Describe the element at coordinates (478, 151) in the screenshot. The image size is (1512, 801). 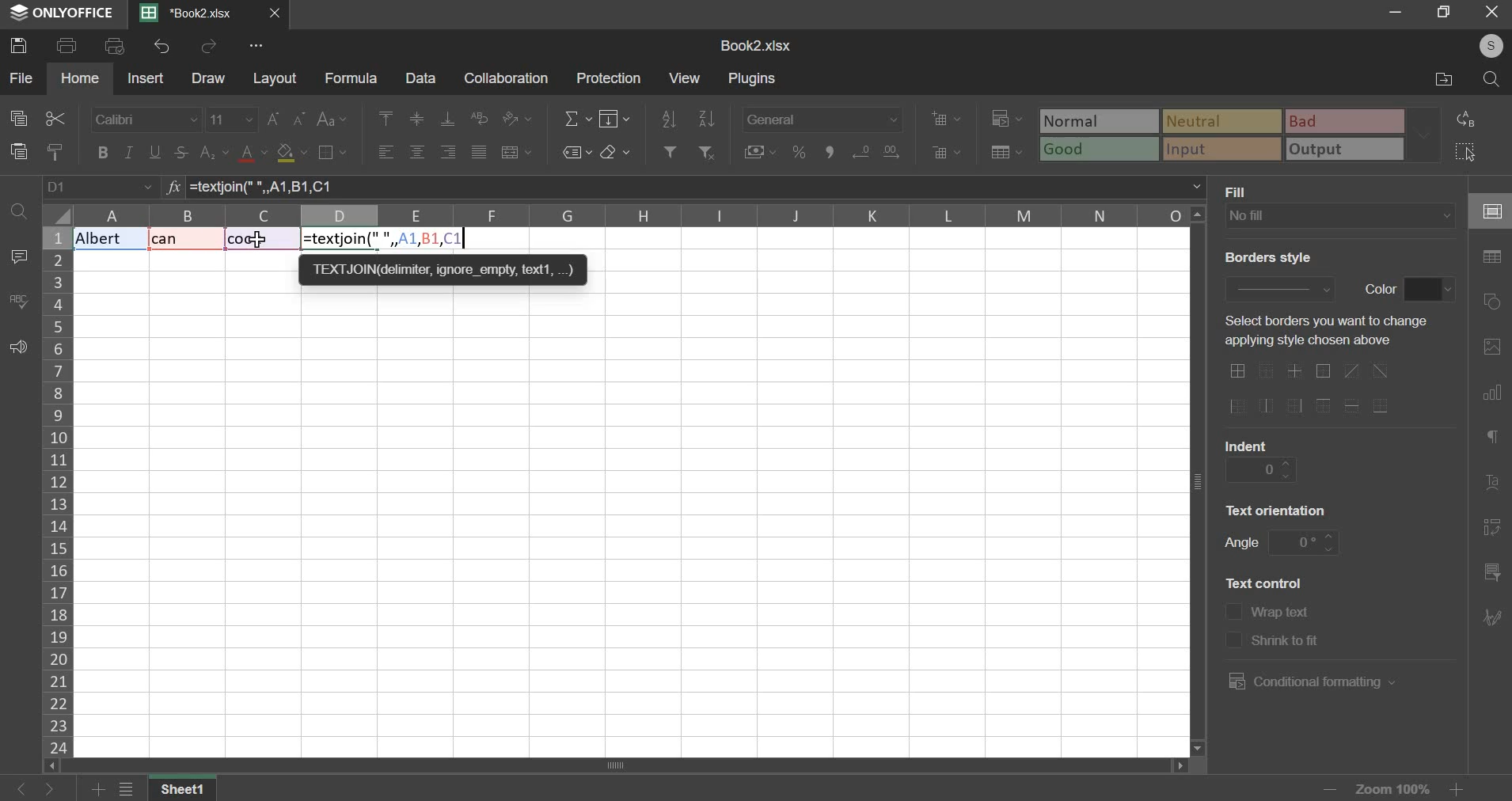
I see `justified` at that location.